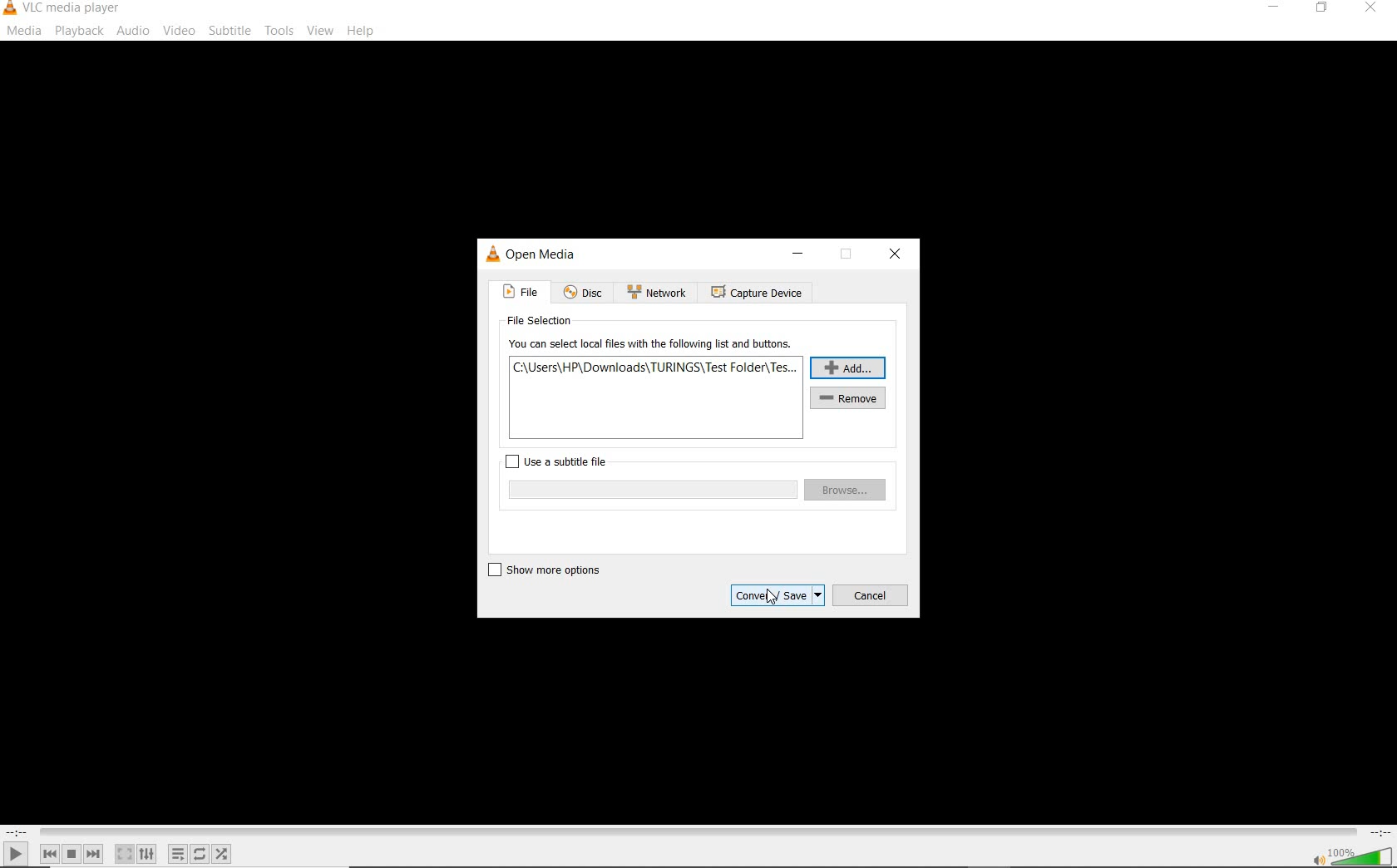  I want to click on next media, so click(95, 854).